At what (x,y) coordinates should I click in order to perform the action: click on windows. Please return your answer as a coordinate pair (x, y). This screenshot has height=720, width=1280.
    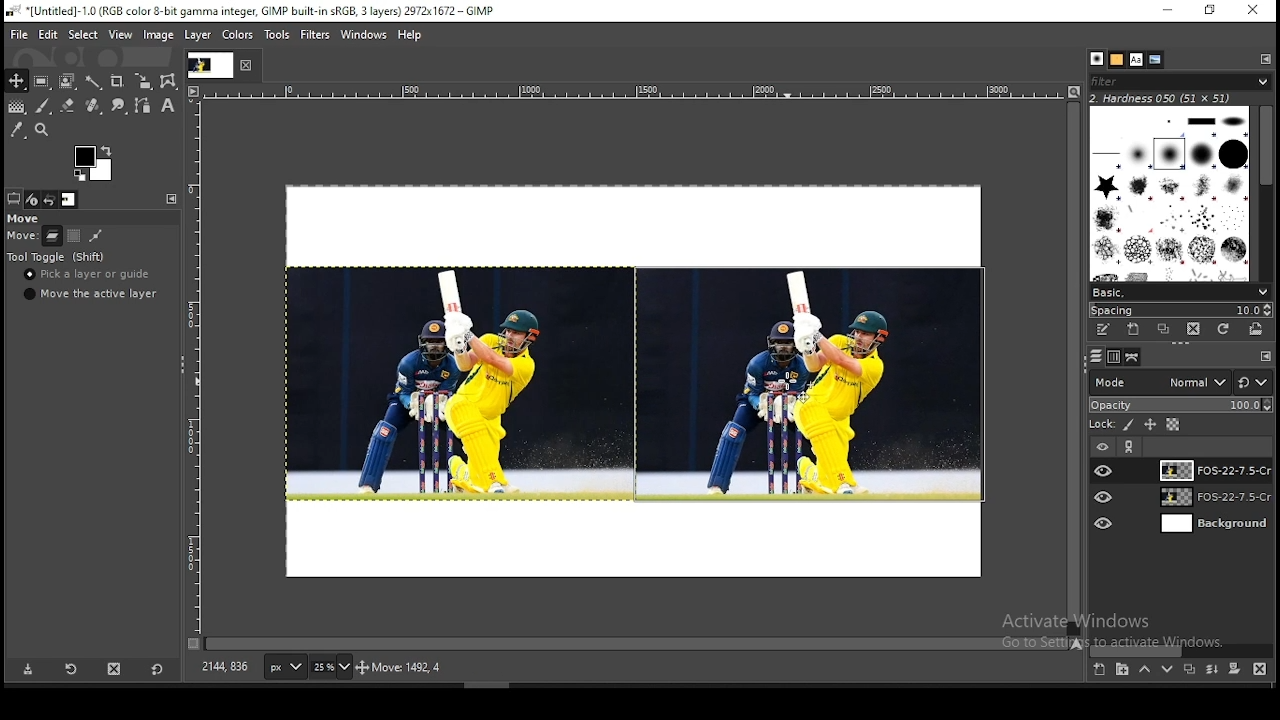
    Looking at the image, I should click on (363, 35).